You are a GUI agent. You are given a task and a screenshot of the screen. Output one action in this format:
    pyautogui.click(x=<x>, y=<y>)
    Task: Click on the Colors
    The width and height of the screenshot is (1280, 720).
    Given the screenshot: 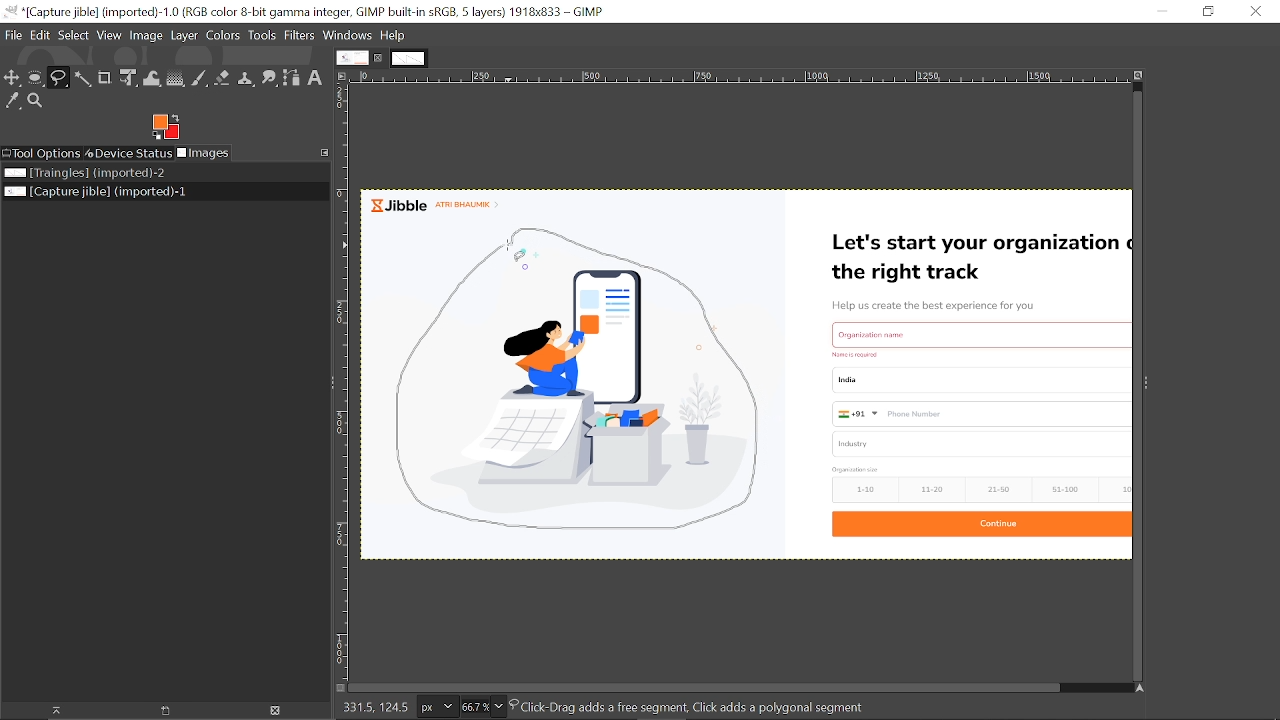 What is the action you would take?
    pyautogui.click(x=223, y=38)
    